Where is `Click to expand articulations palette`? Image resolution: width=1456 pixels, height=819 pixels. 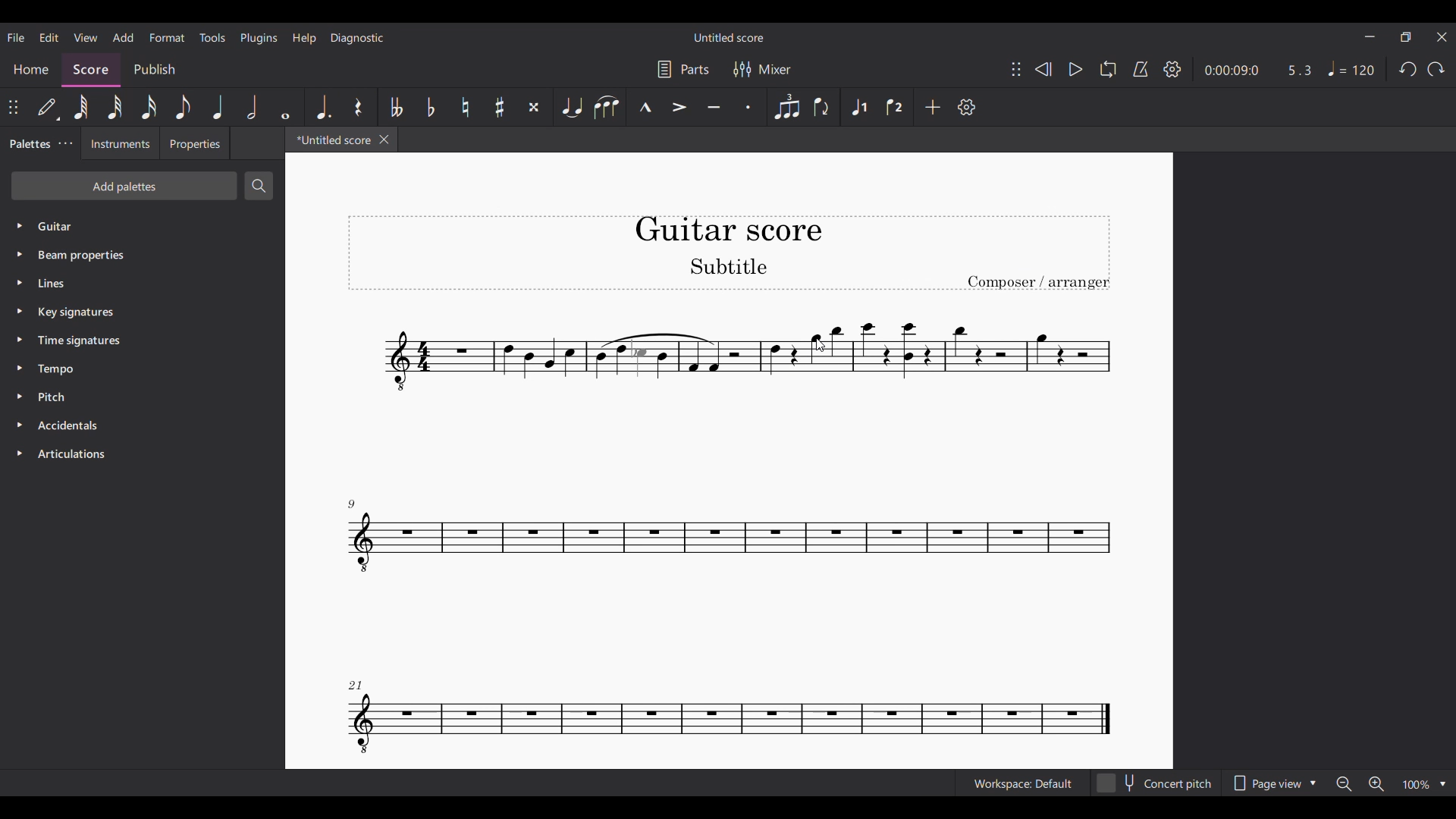
Click to expand articulations palette is located at coordinates (19, 453).